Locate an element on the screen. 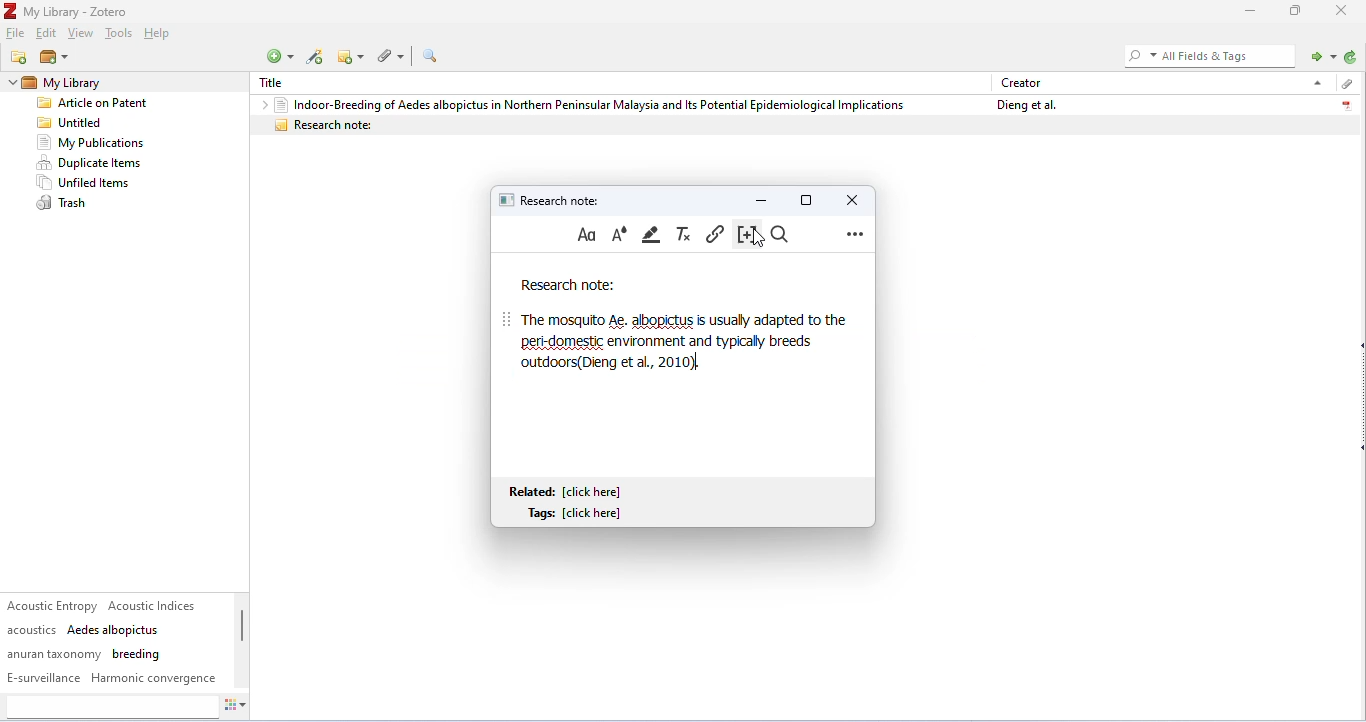 This screenshot has width=1366, height=722. unfiled items is located at coordinates (87, 183).